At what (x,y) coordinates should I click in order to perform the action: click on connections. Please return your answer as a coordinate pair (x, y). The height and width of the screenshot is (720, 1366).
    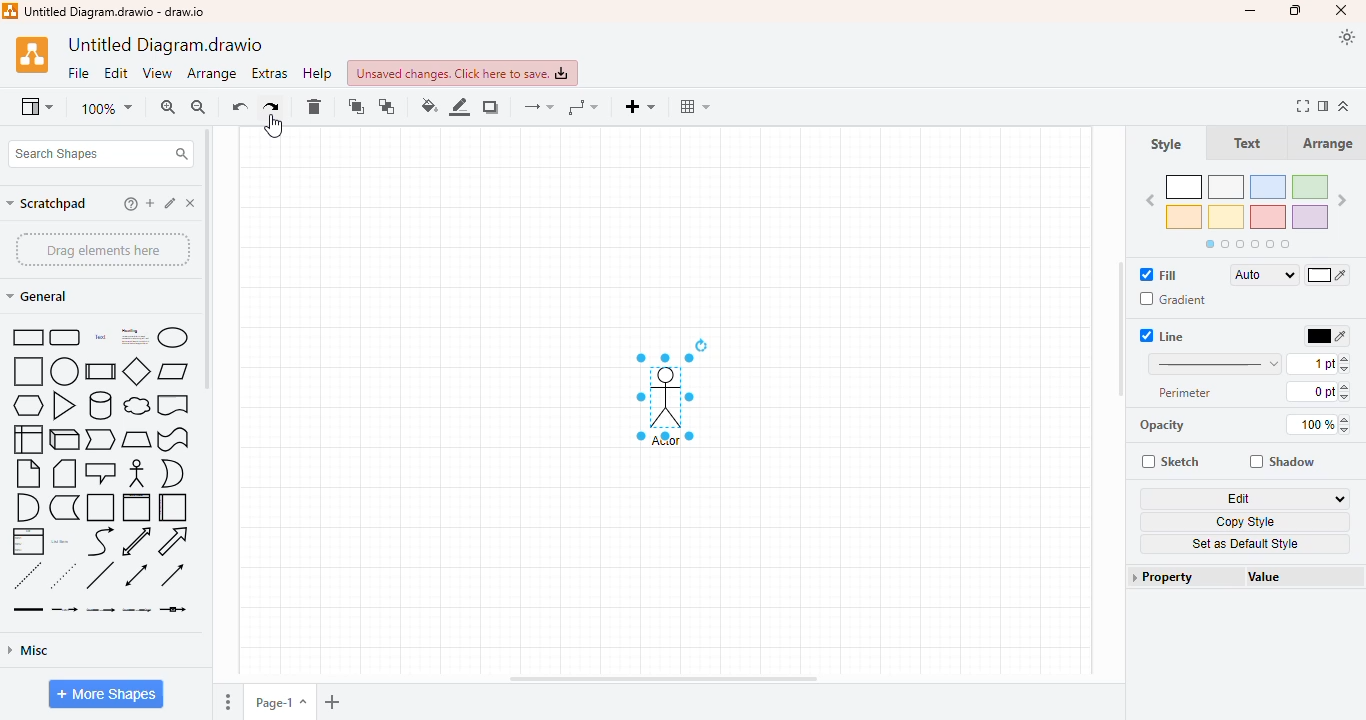
    Looking at the image, I should click on (539, 107).